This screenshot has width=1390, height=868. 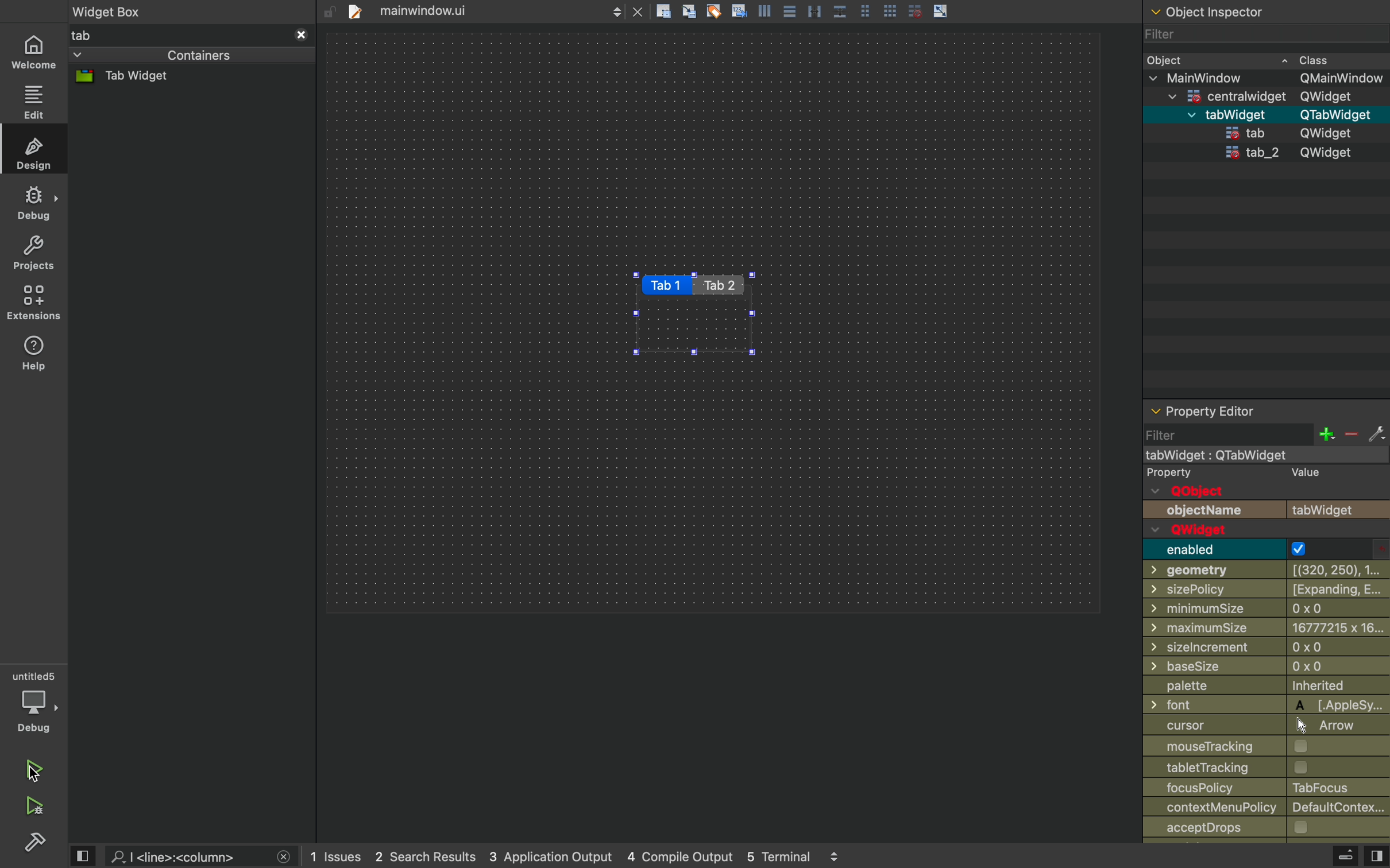 I want to click on mainwindow, so click(x=1266, y=455).